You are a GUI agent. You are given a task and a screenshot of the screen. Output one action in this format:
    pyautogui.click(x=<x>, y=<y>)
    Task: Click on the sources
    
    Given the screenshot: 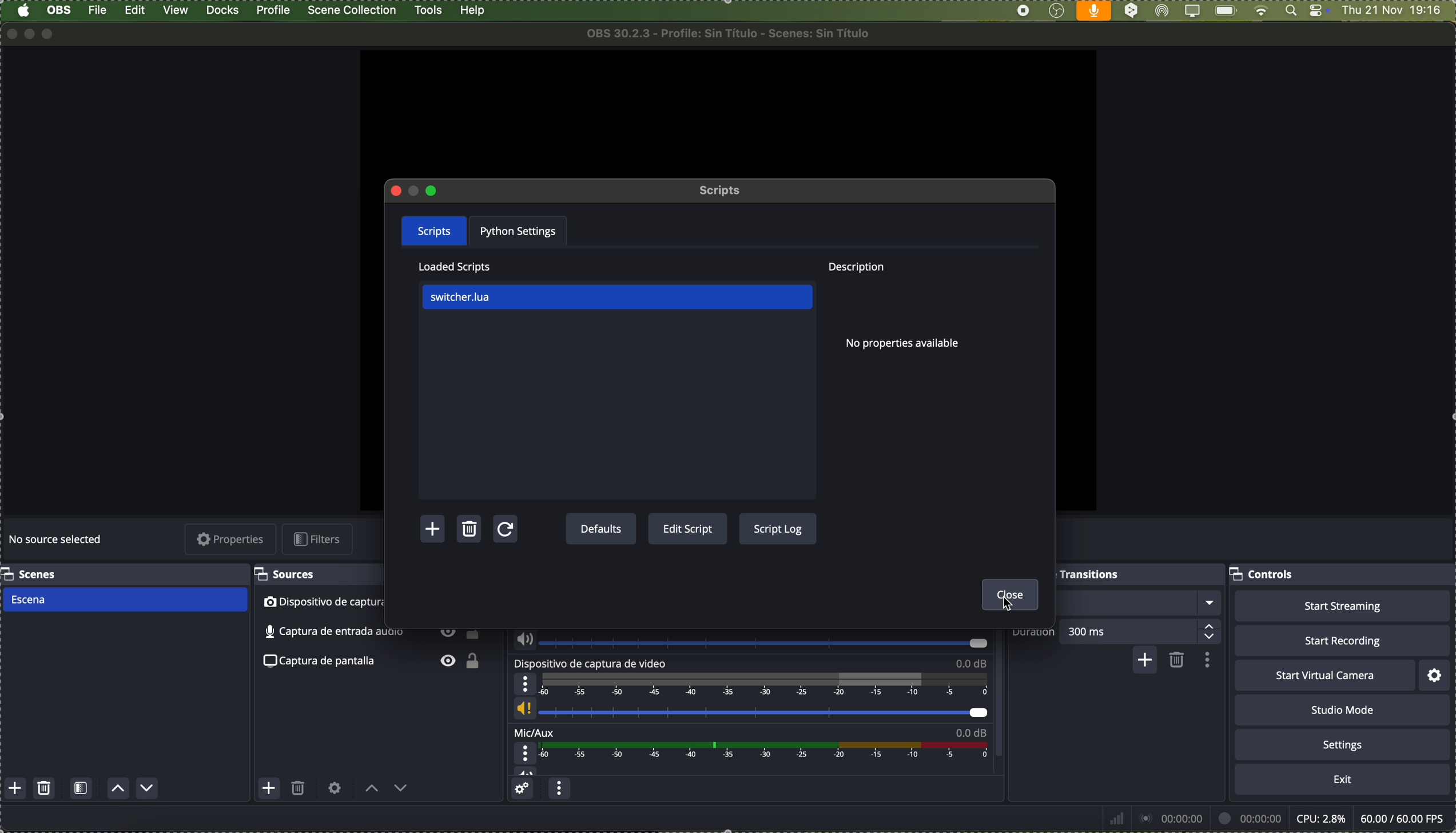 What is the action you would take?
    pyautogui.click(x=289, y=574)
    